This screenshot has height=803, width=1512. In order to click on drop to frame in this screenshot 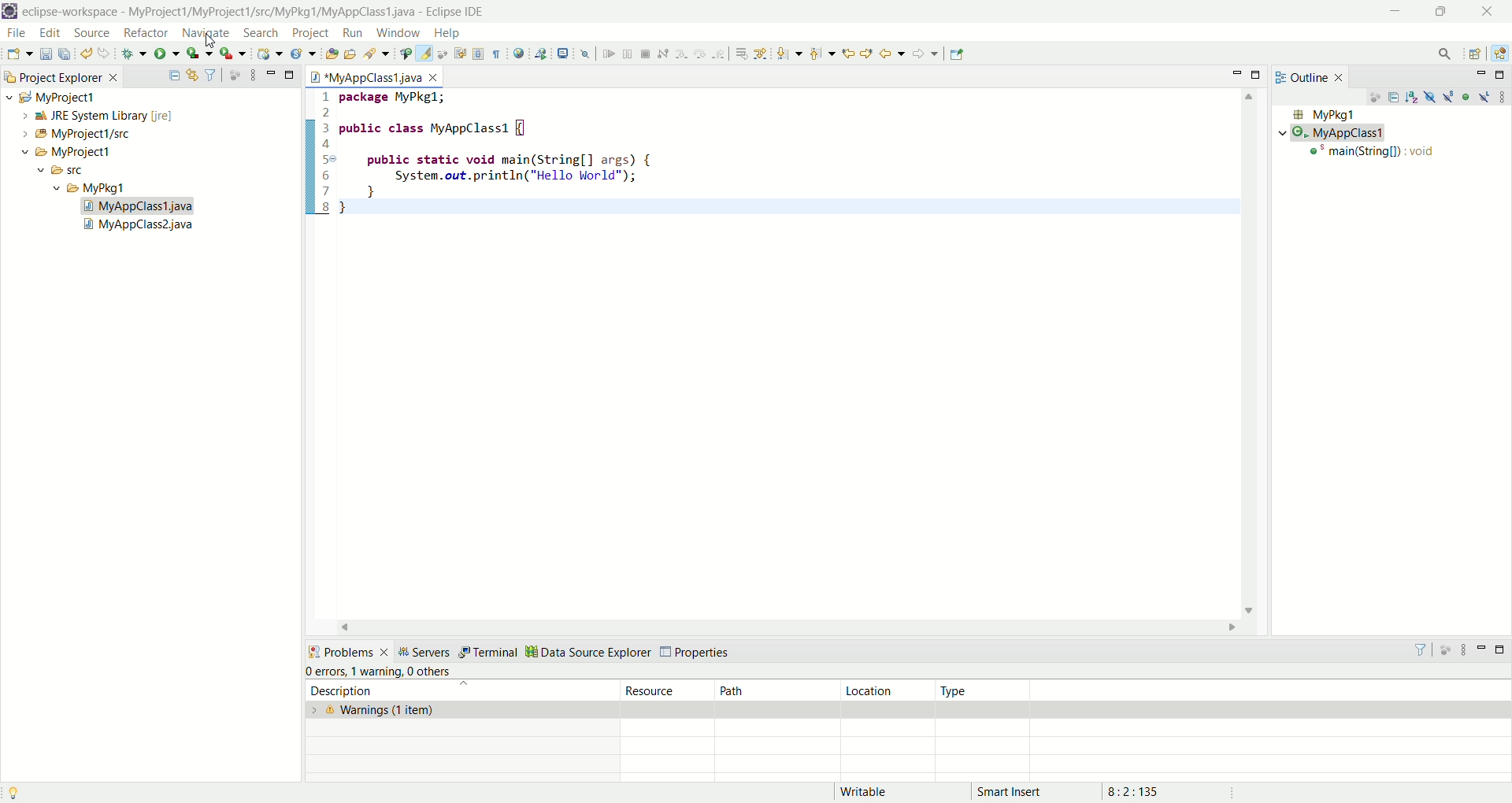, I will do `click(740, 54)`.